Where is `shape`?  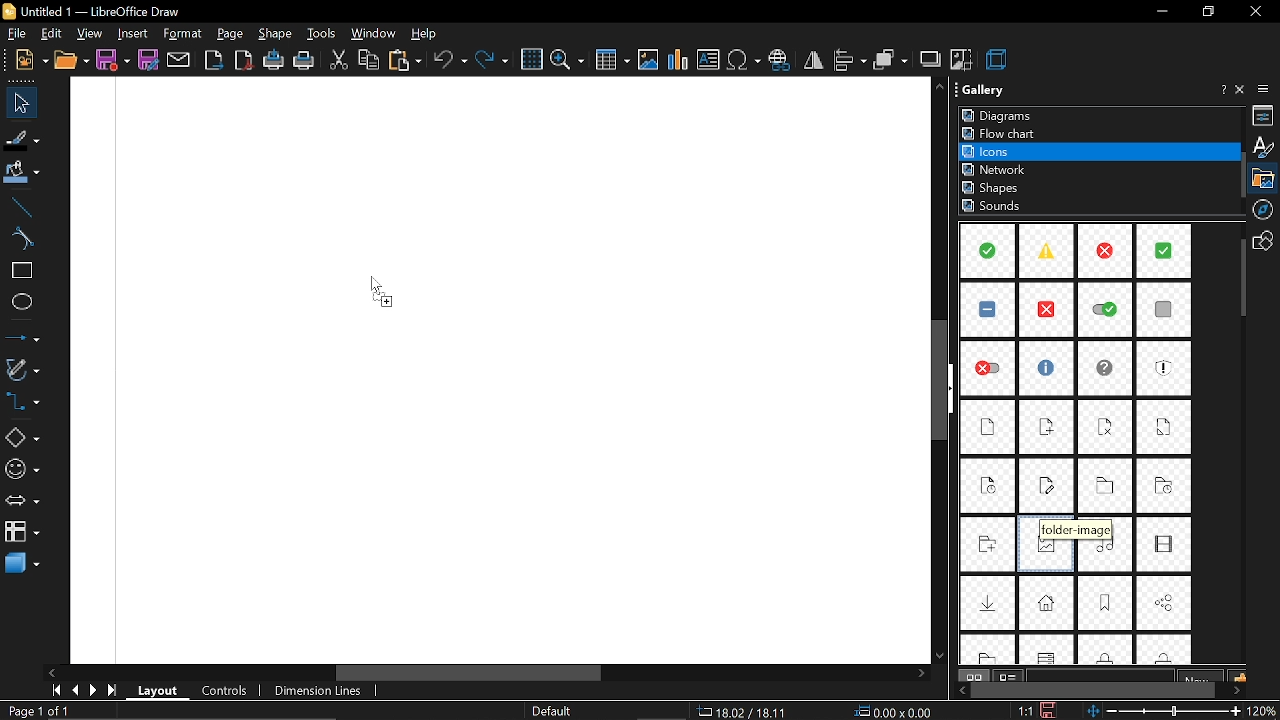 shape is located at coordinates (275, 33).